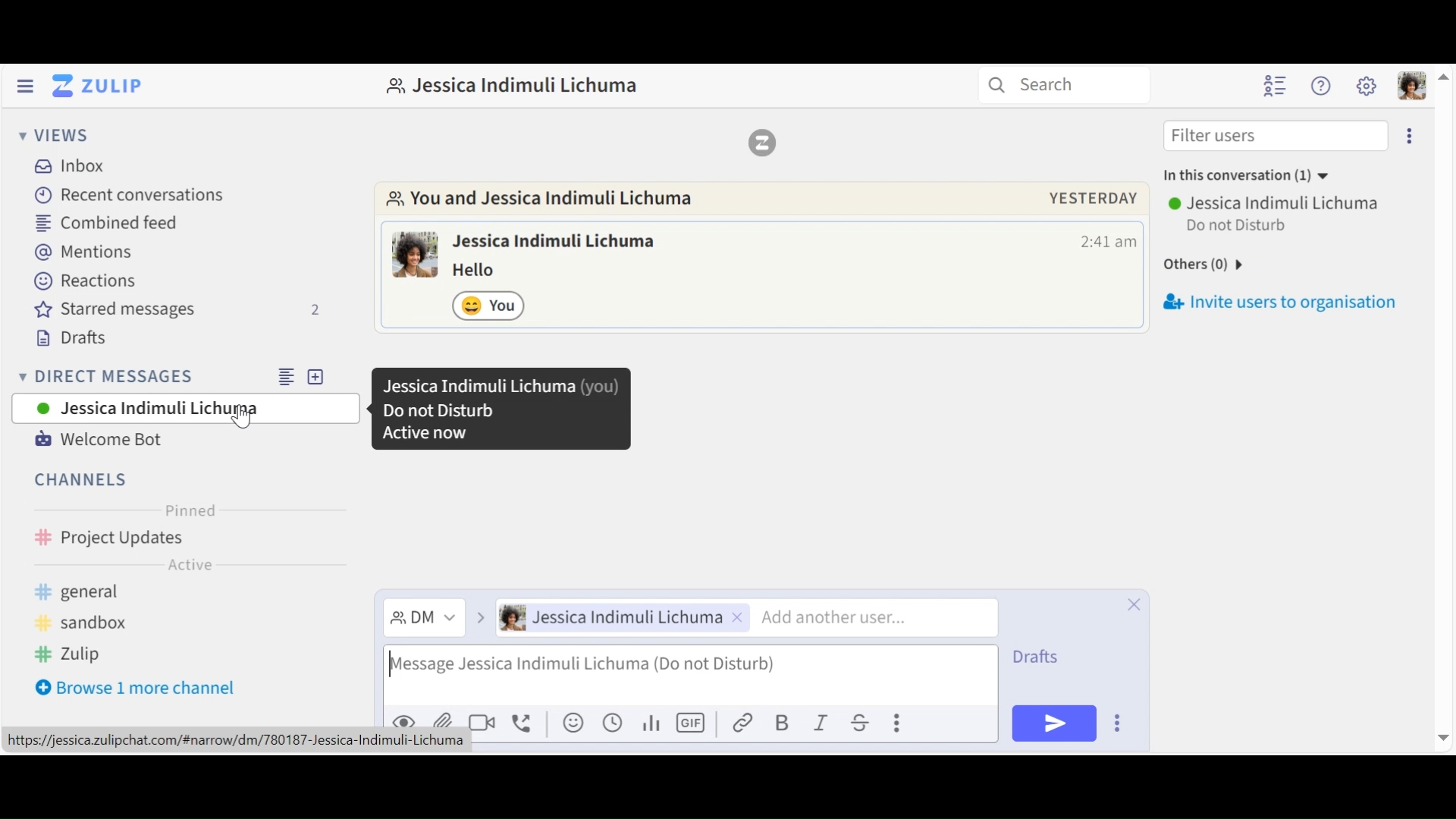 Image resolution: width=1456 pixels, height=819 pixels. What do you see at coordinates (24, 86) in the screenshot?
I see `Hide Left Sidebar` at bounding box center [24, 86].